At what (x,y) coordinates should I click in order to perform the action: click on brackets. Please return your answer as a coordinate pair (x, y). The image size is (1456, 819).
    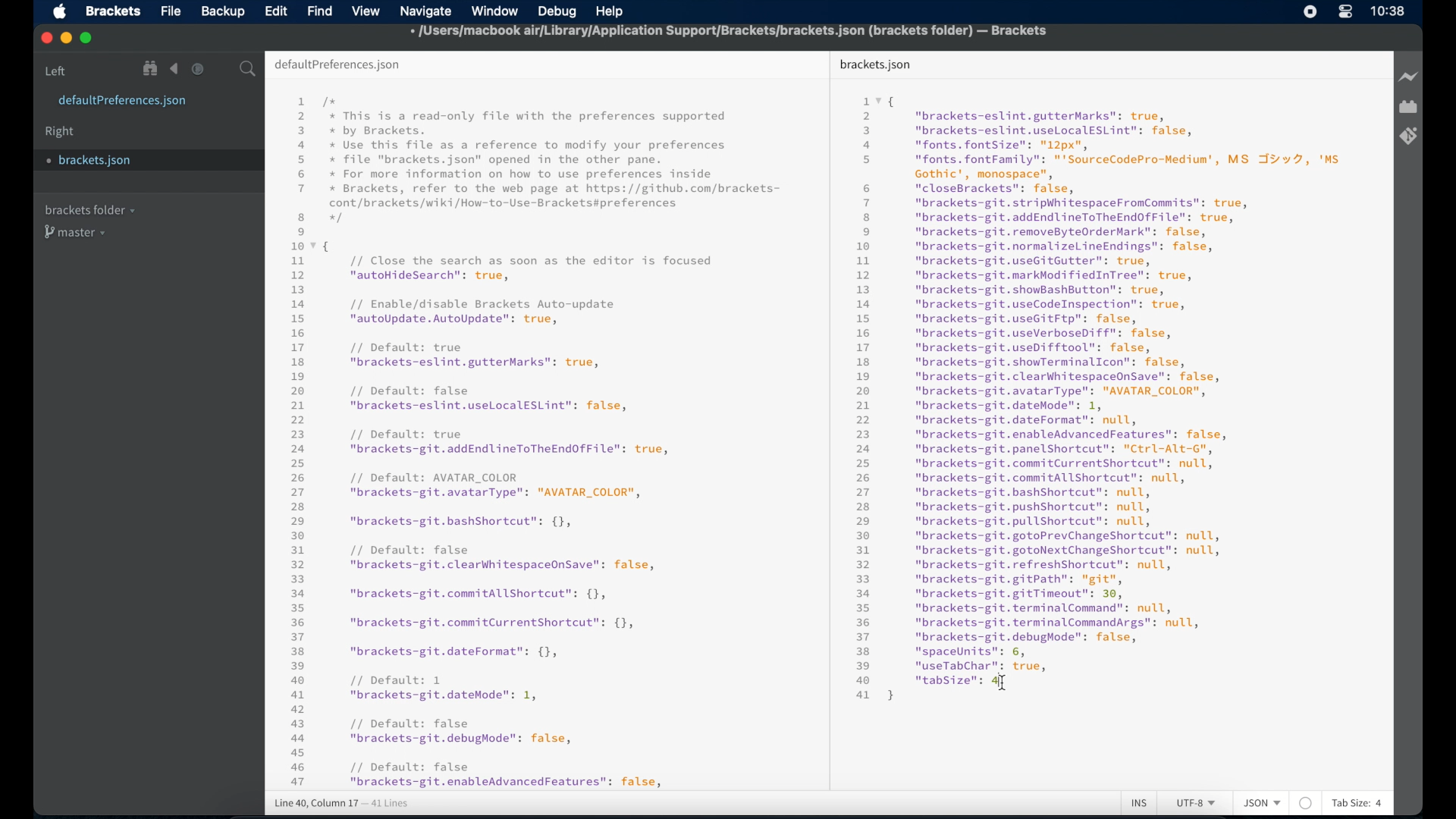
    Looking at the image, I should click on (114, 11).